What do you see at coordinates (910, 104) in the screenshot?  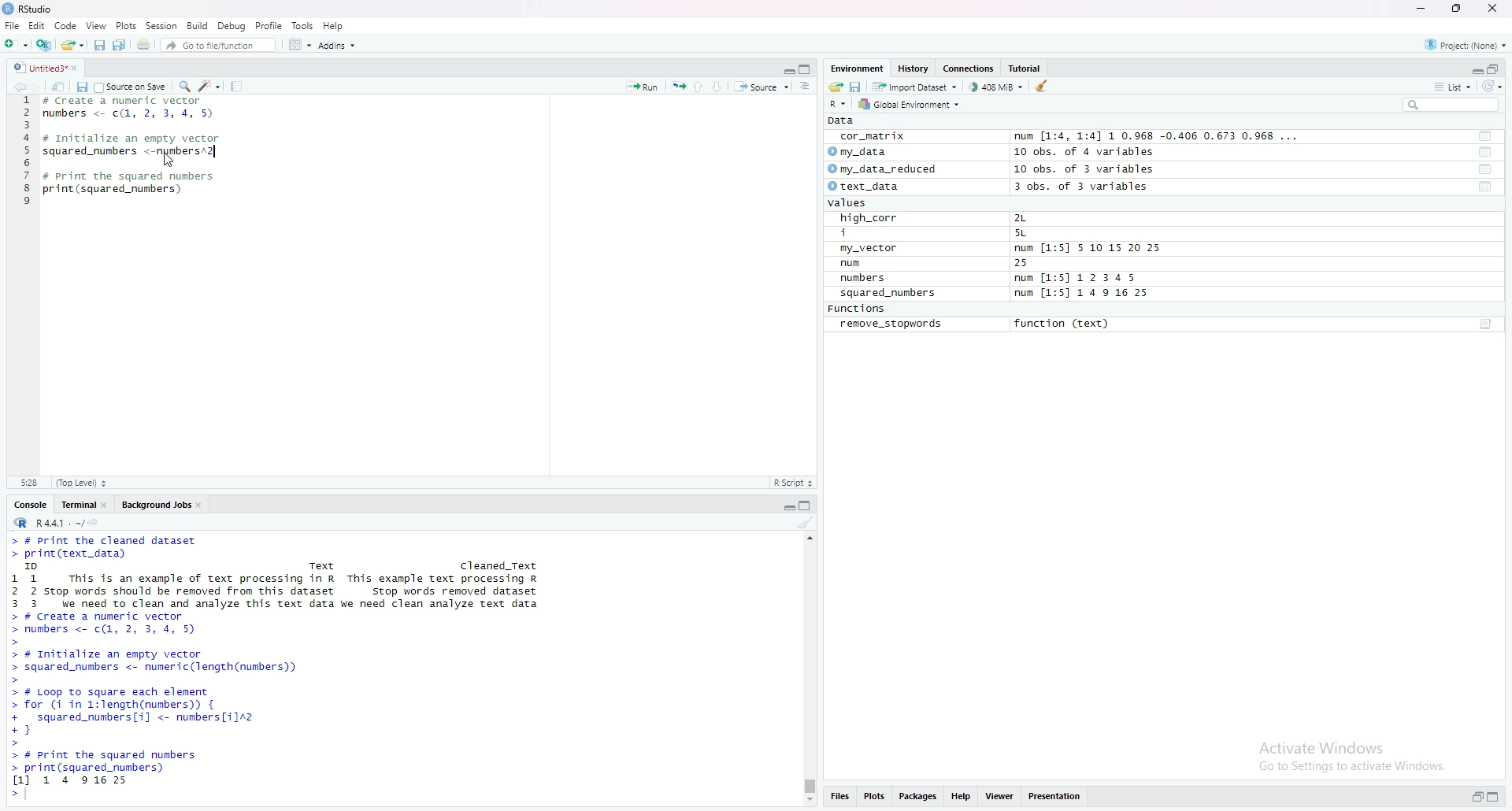 I see `Global Environment` at bounding box center [910, 104].